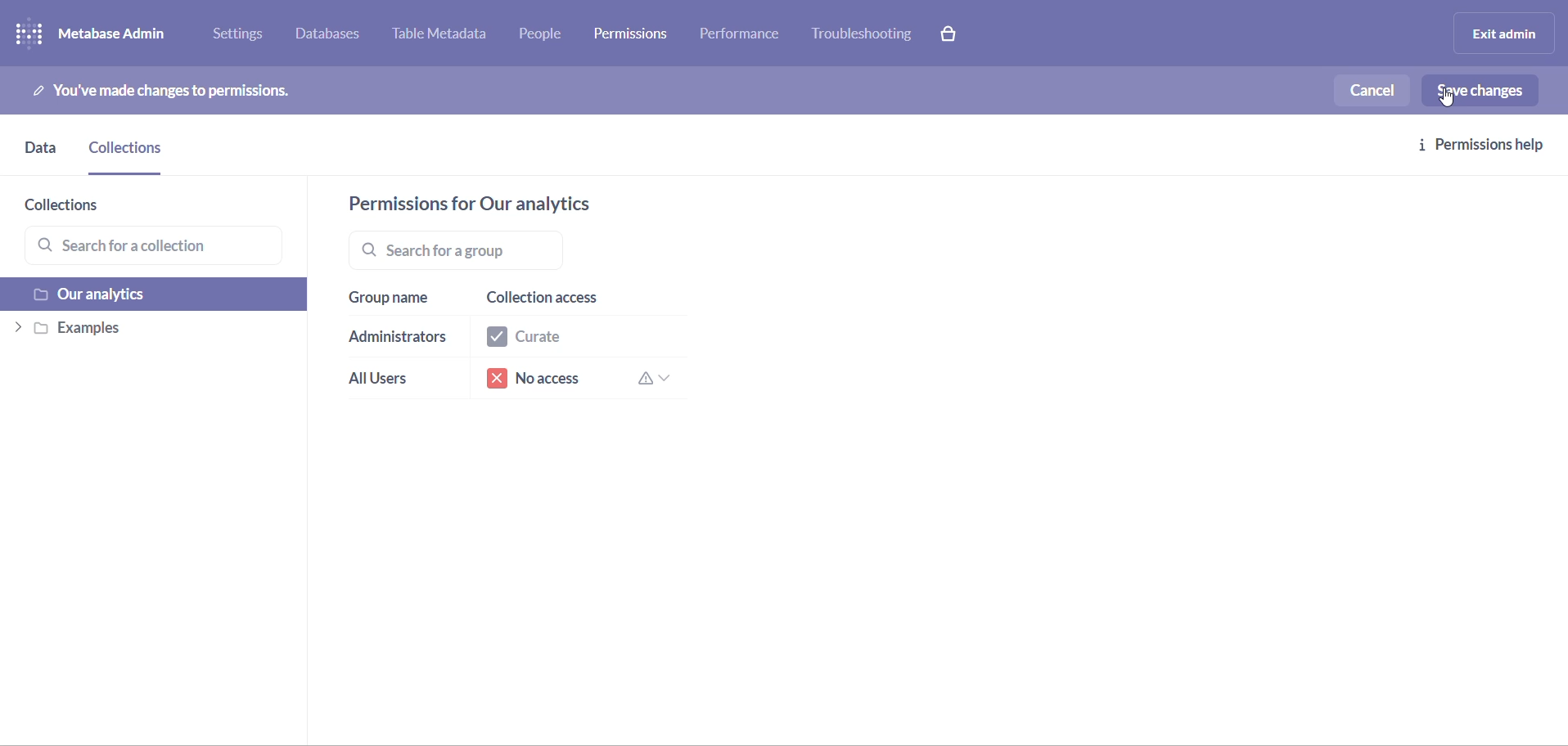 The image size is (1568, 746). I want to click on data, so click(38, 154).